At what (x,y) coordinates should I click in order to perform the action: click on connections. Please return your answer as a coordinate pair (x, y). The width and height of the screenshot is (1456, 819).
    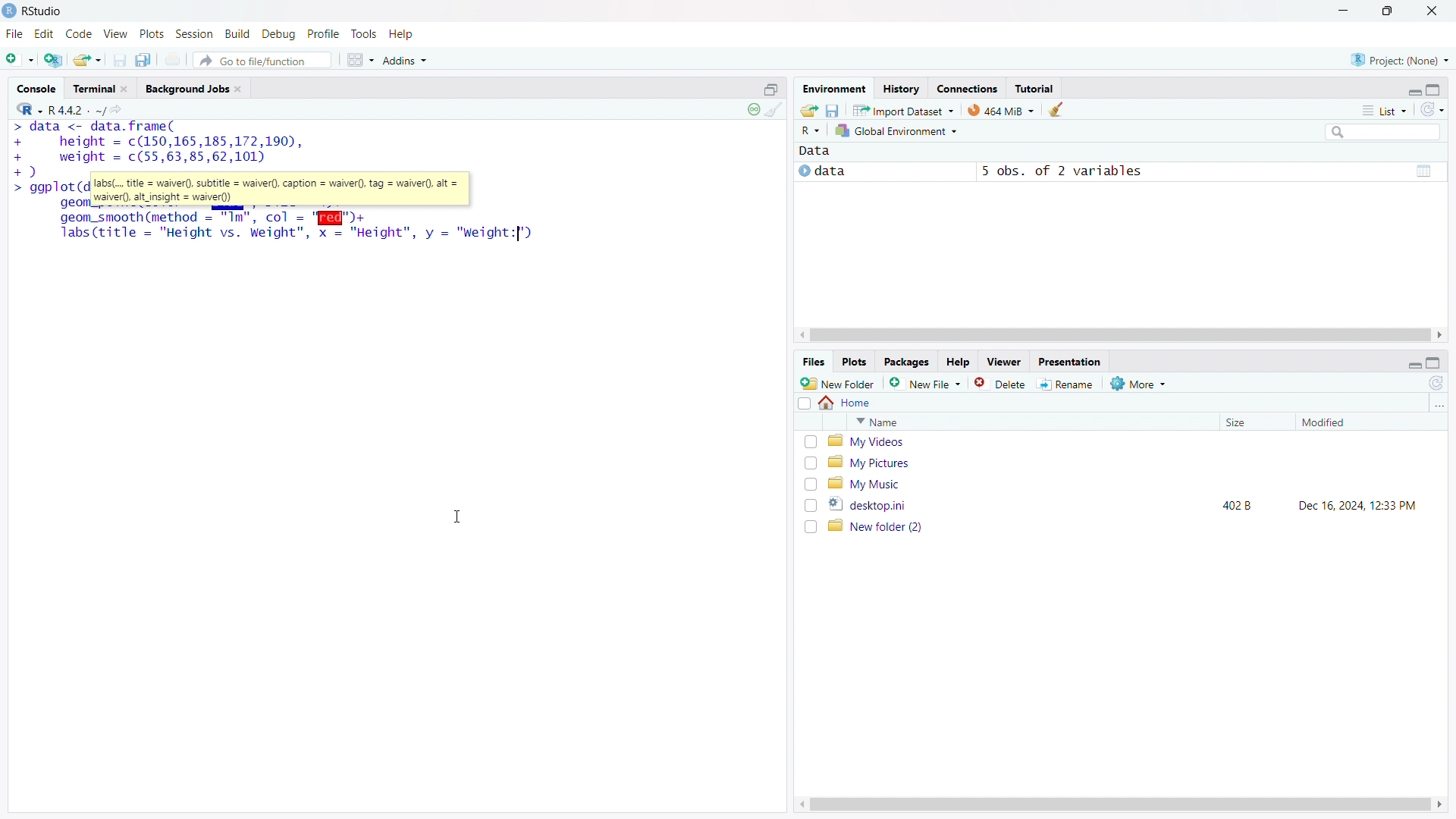
    Looking at the image, I should click on (967, 88).